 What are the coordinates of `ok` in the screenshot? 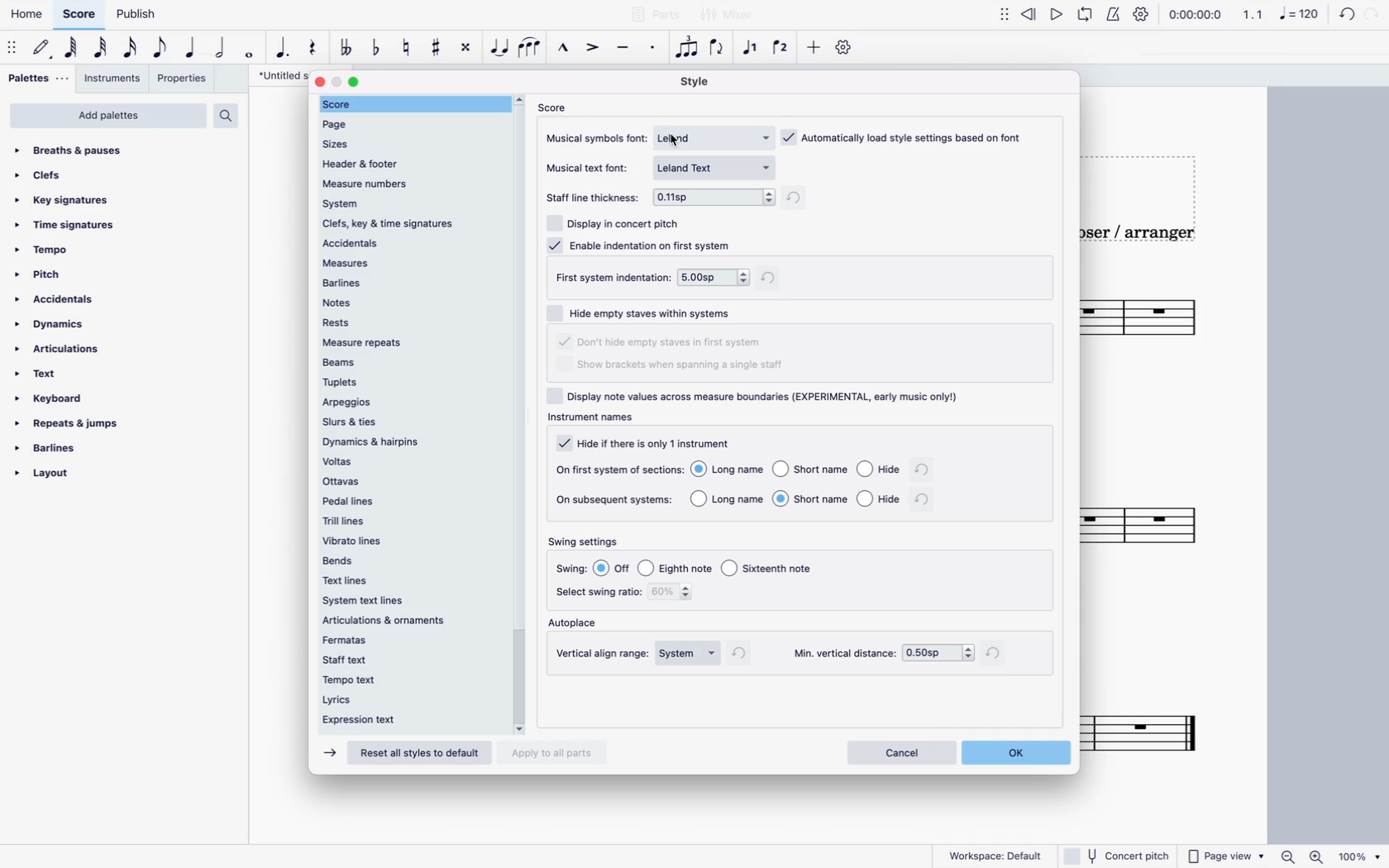 It's located at (1017, 751).